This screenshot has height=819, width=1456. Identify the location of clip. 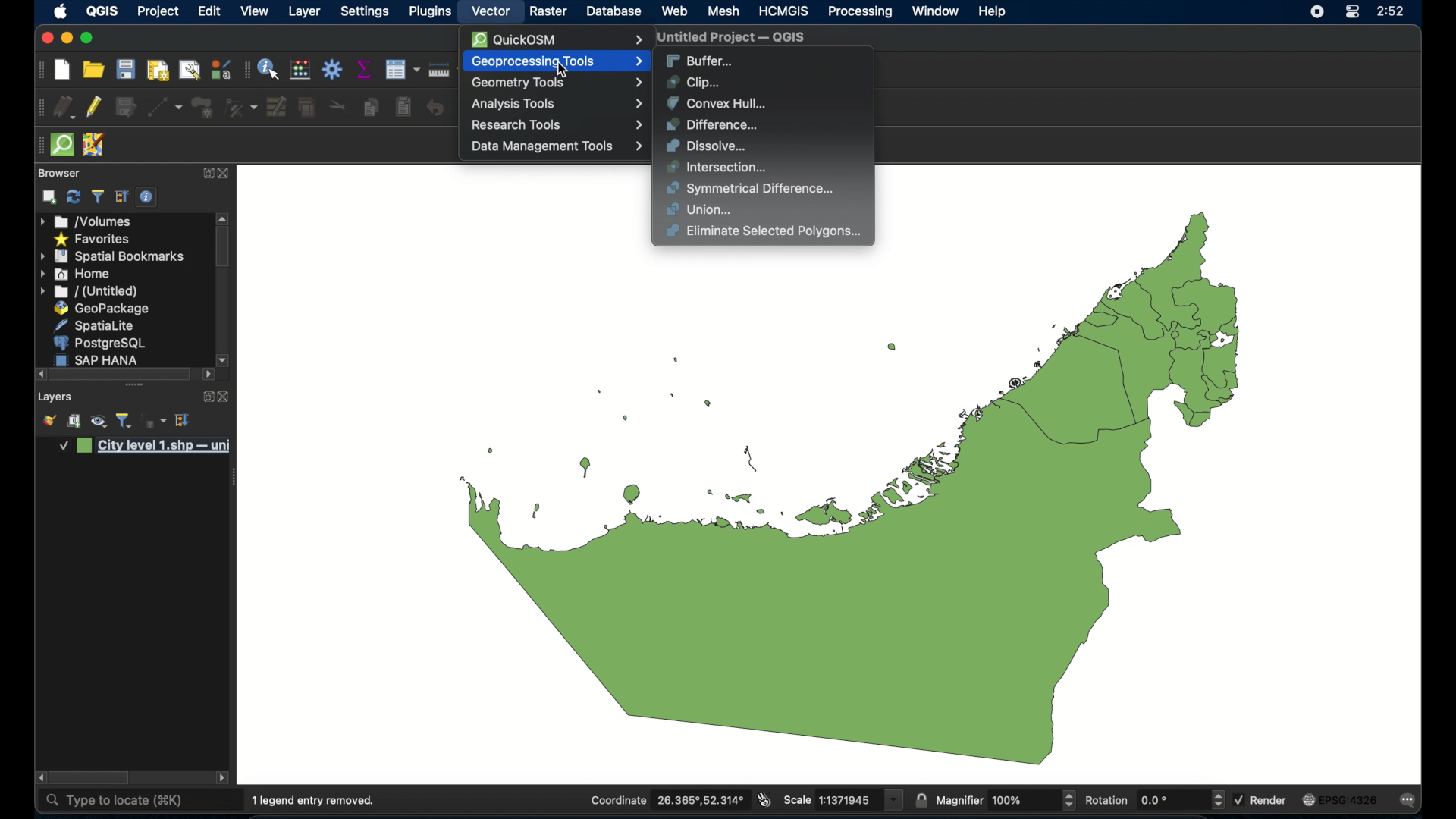
(696, 82).